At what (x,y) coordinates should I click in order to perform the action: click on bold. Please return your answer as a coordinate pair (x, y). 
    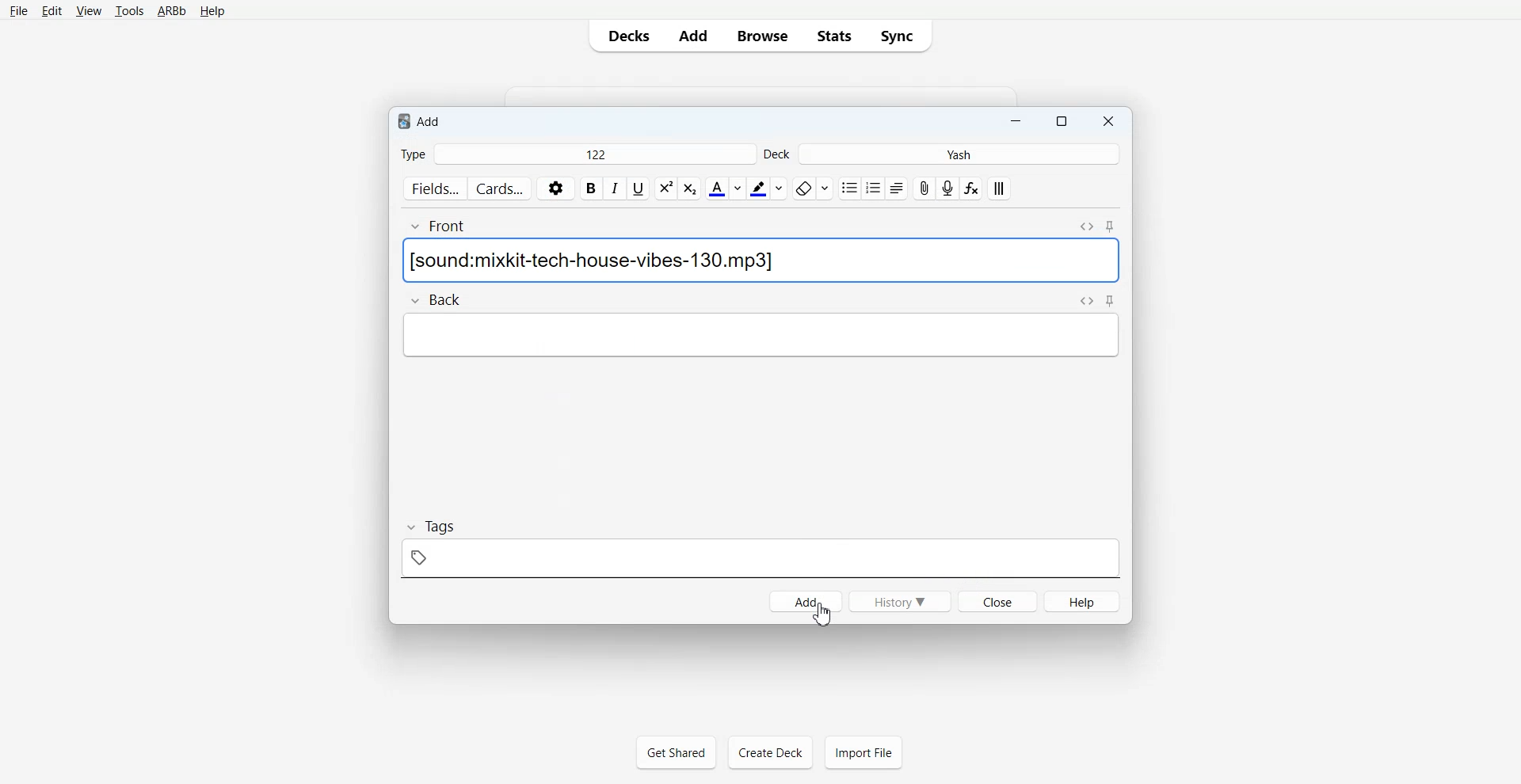
    Looking at the image, I should click on (592, 188).